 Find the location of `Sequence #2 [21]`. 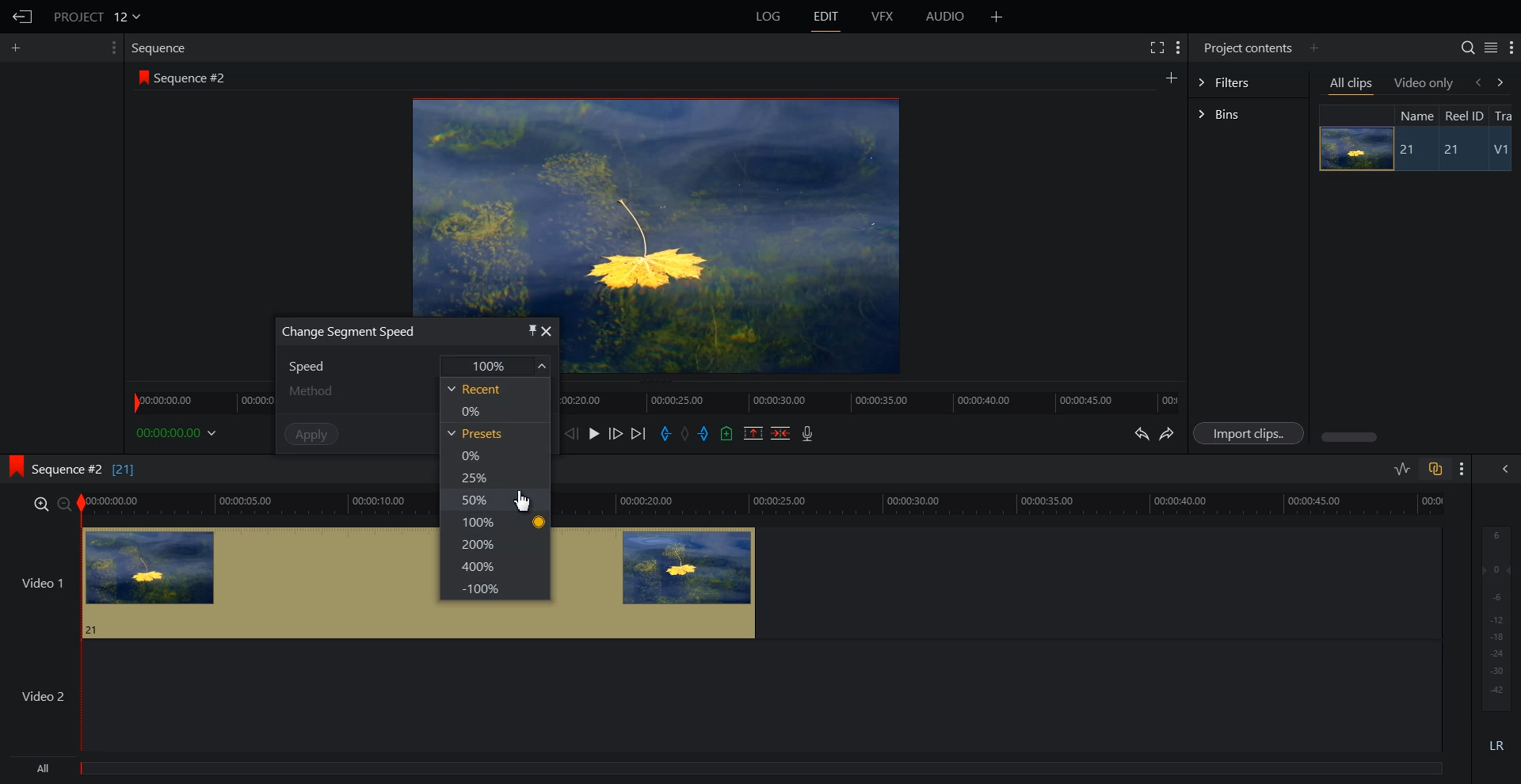

Sequence #2 [21] is located at coordinates (85, 470).